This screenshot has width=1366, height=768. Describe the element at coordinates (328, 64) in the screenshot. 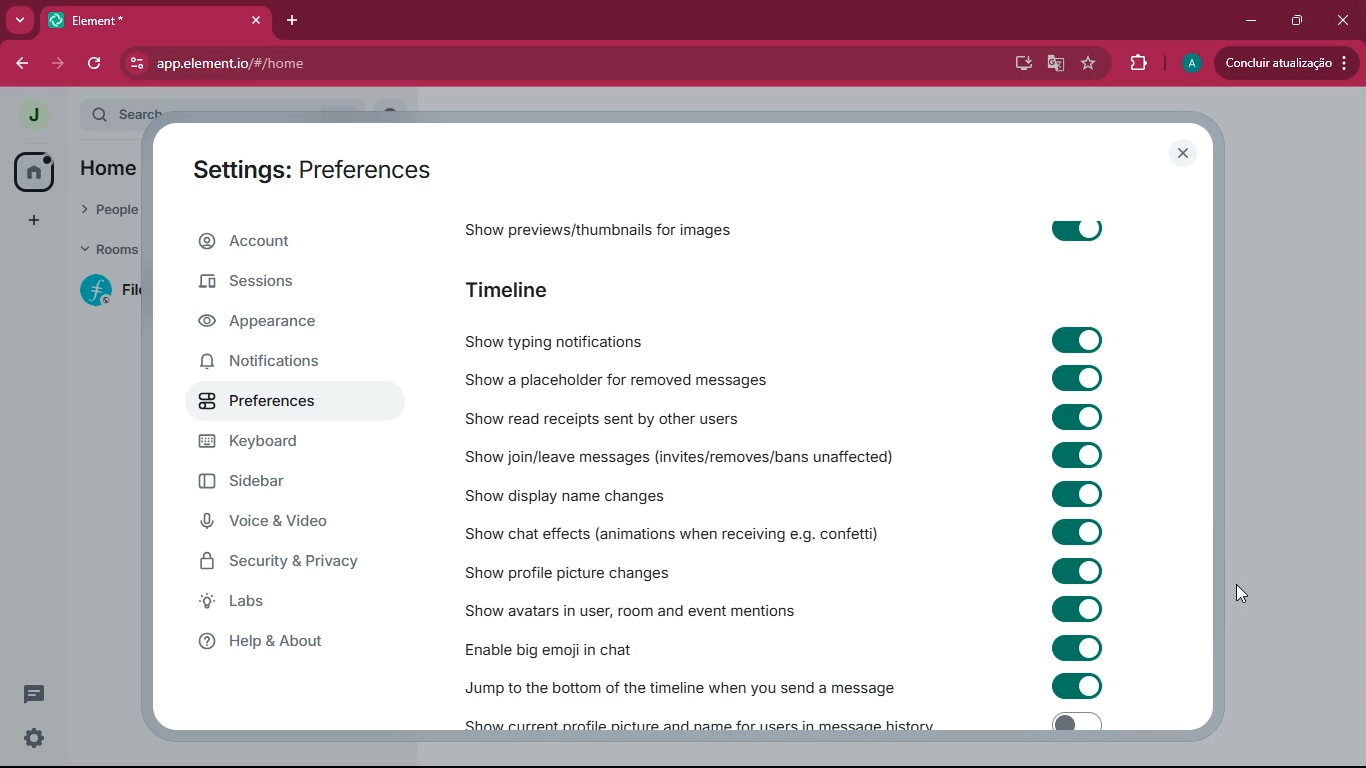

I see `app.element.io/#/home` at that location.